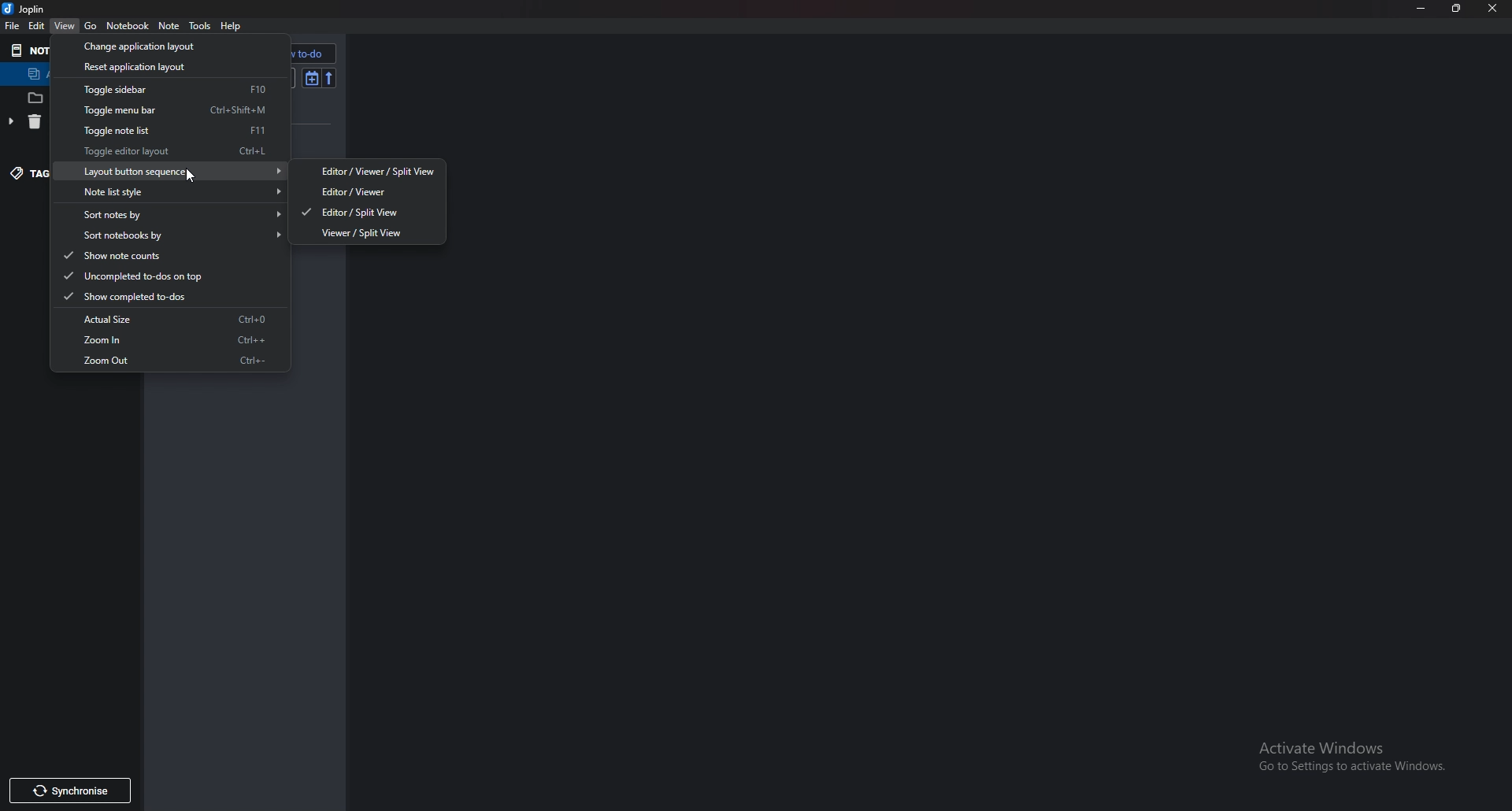 This screenshot has width=1512, height=811. I want to click on Zoom in, so click(168, 340).